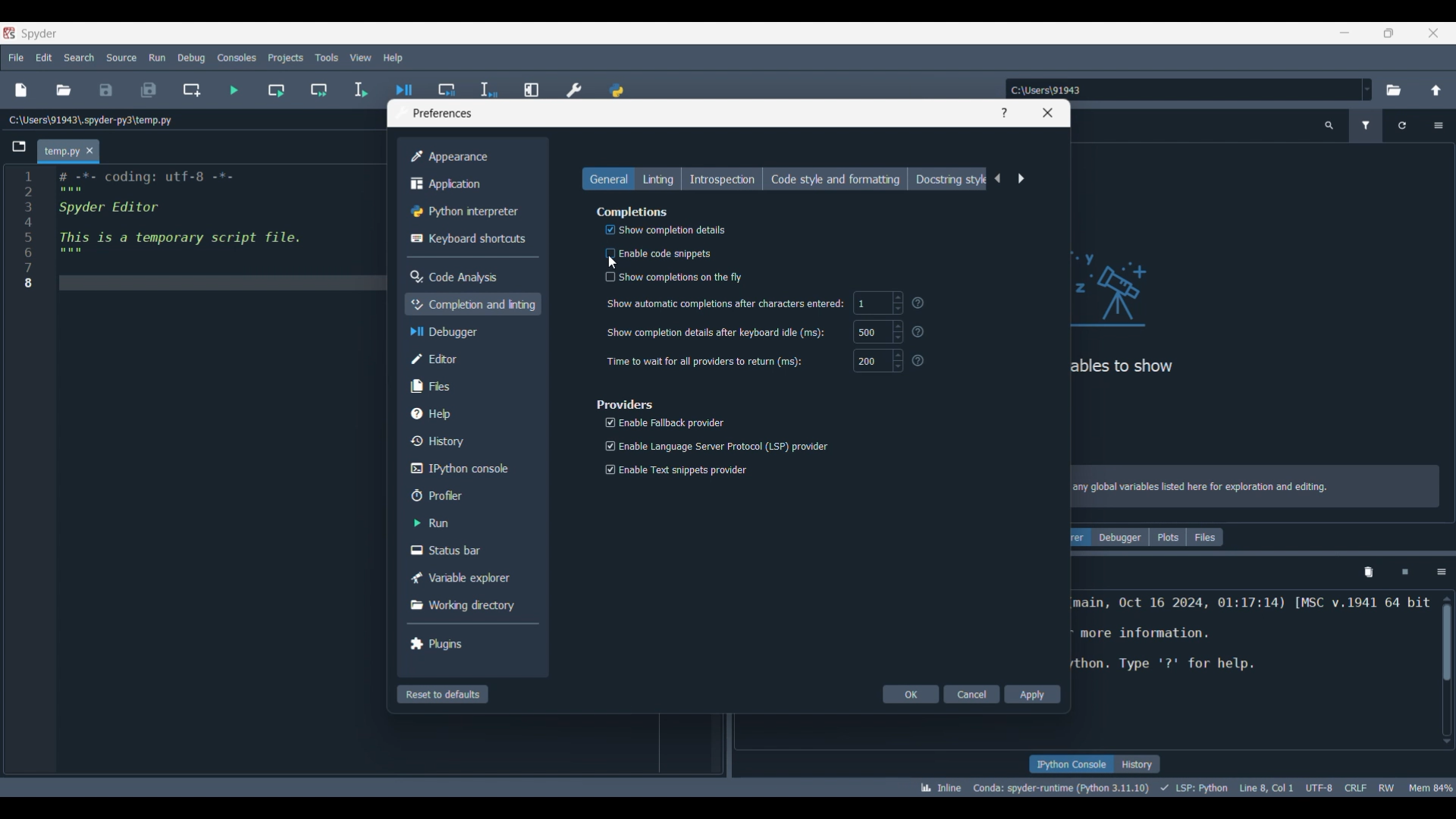 This screenshot has height=819, width=1456. I want to click on Interrupt kernel, so click(1405, 573).